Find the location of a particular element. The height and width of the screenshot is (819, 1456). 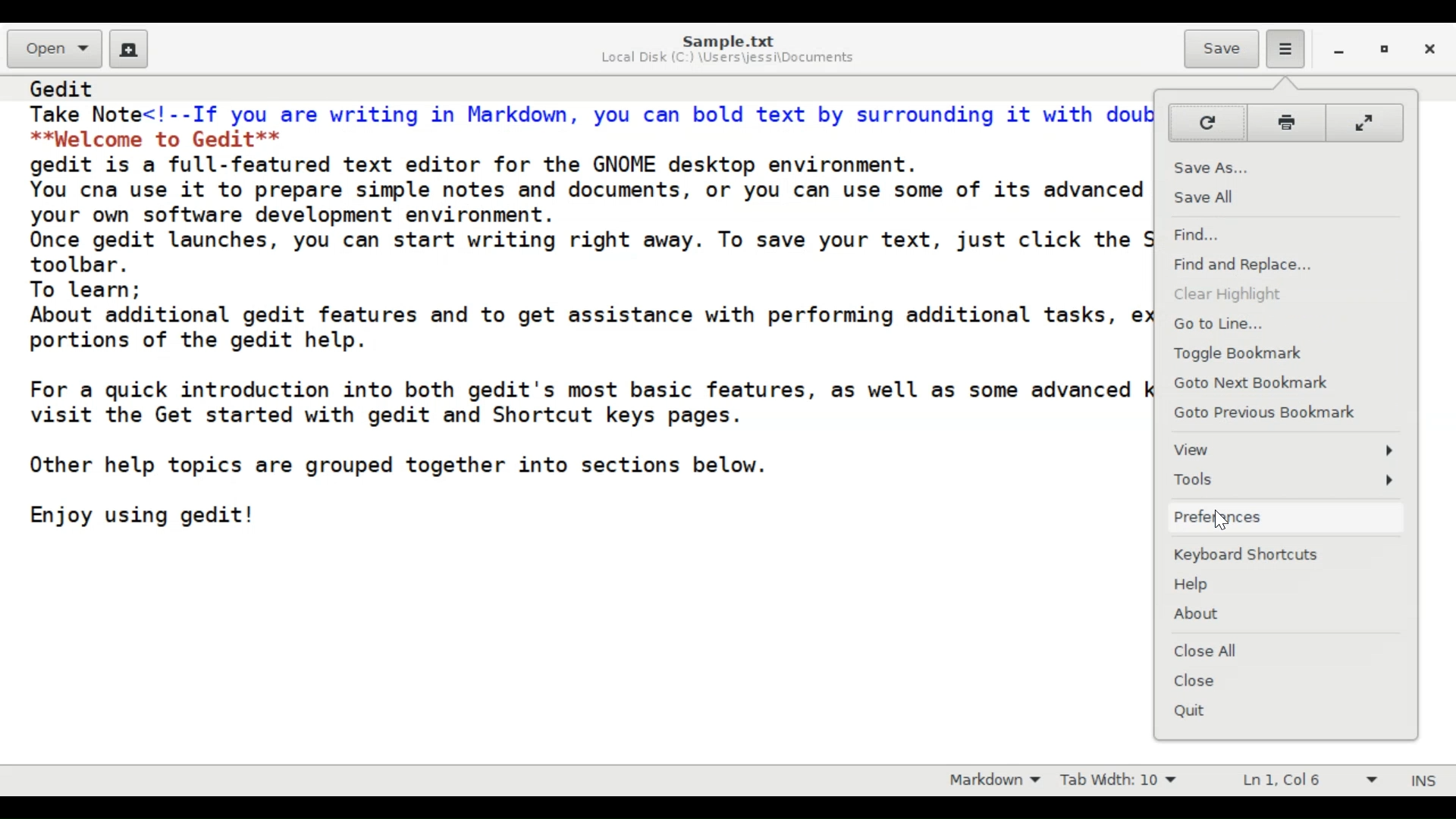

Save is located at coordinates (1221, 50).